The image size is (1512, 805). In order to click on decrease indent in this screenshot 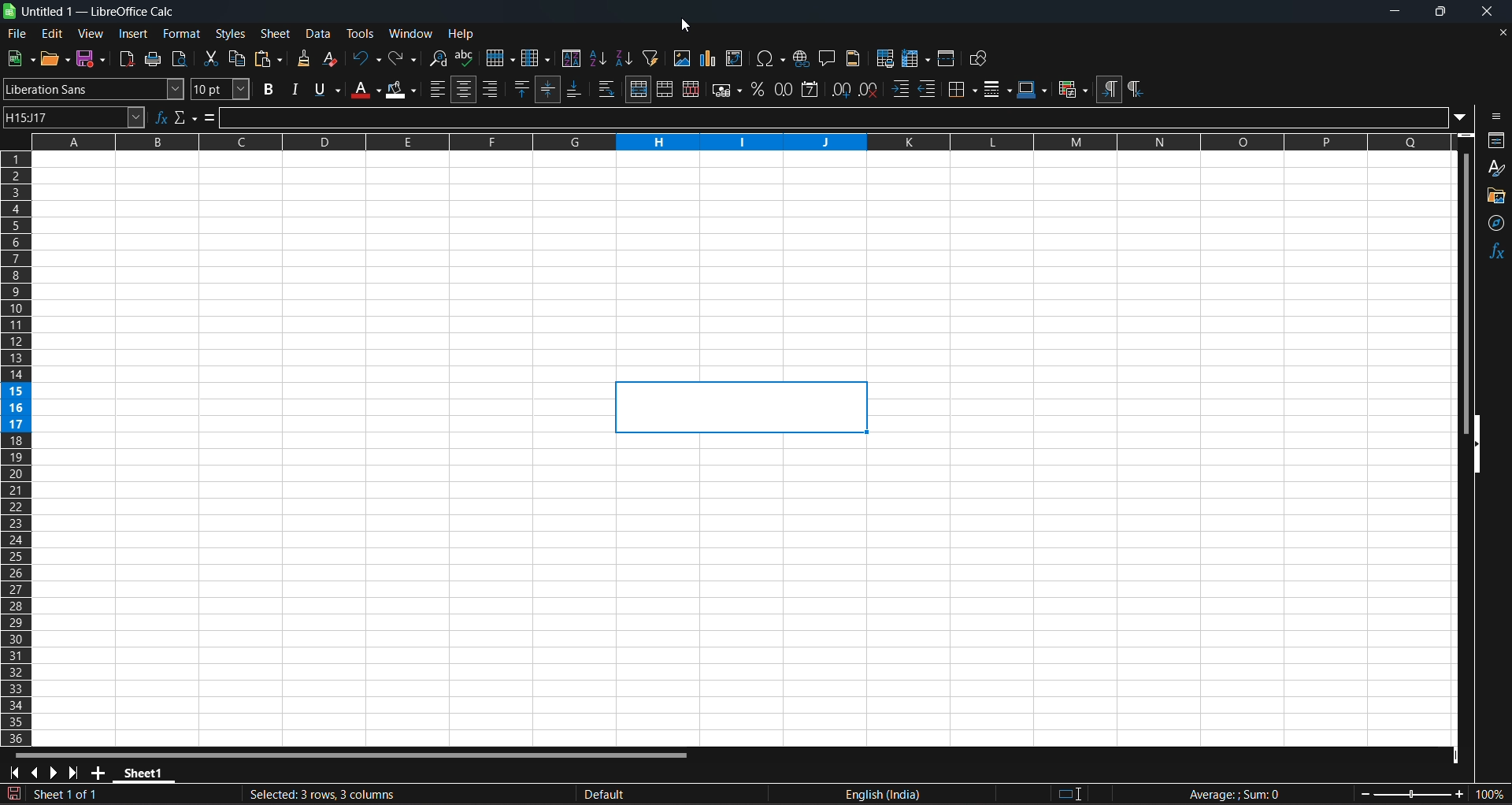, I will do `click(929, 88)`.